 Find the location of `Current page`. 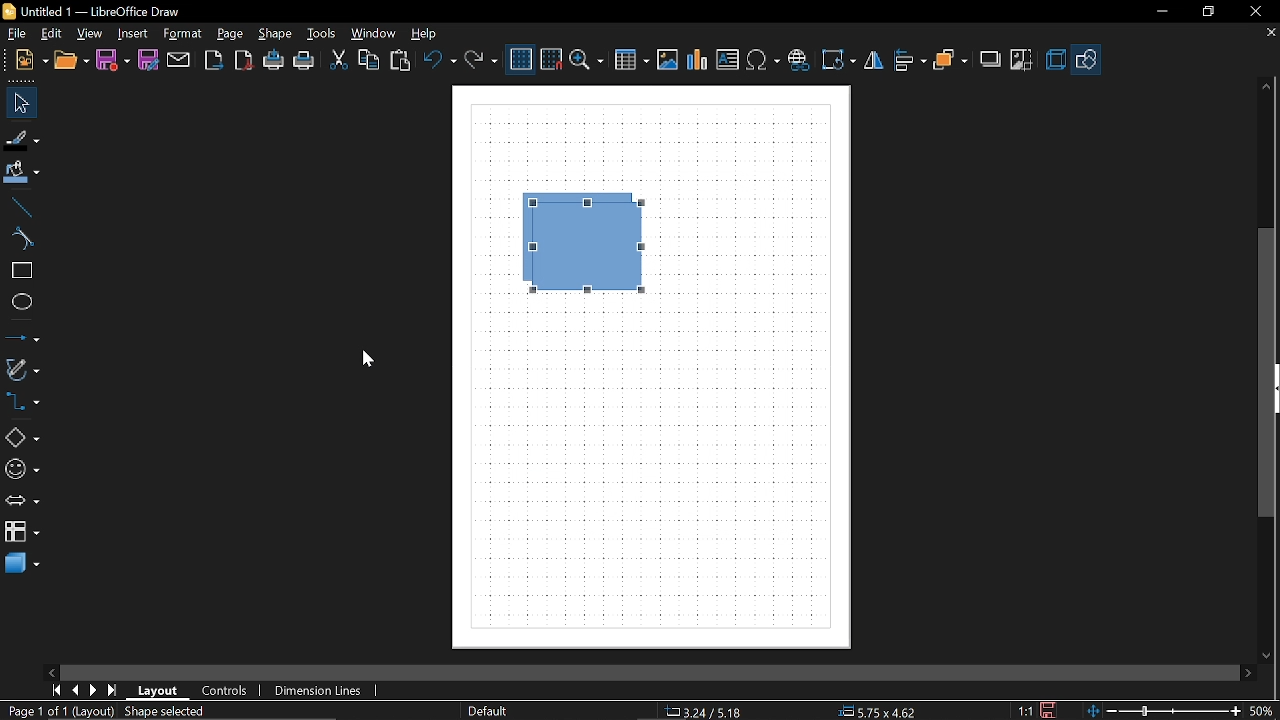

Current page is located at coordinates (106, 712).